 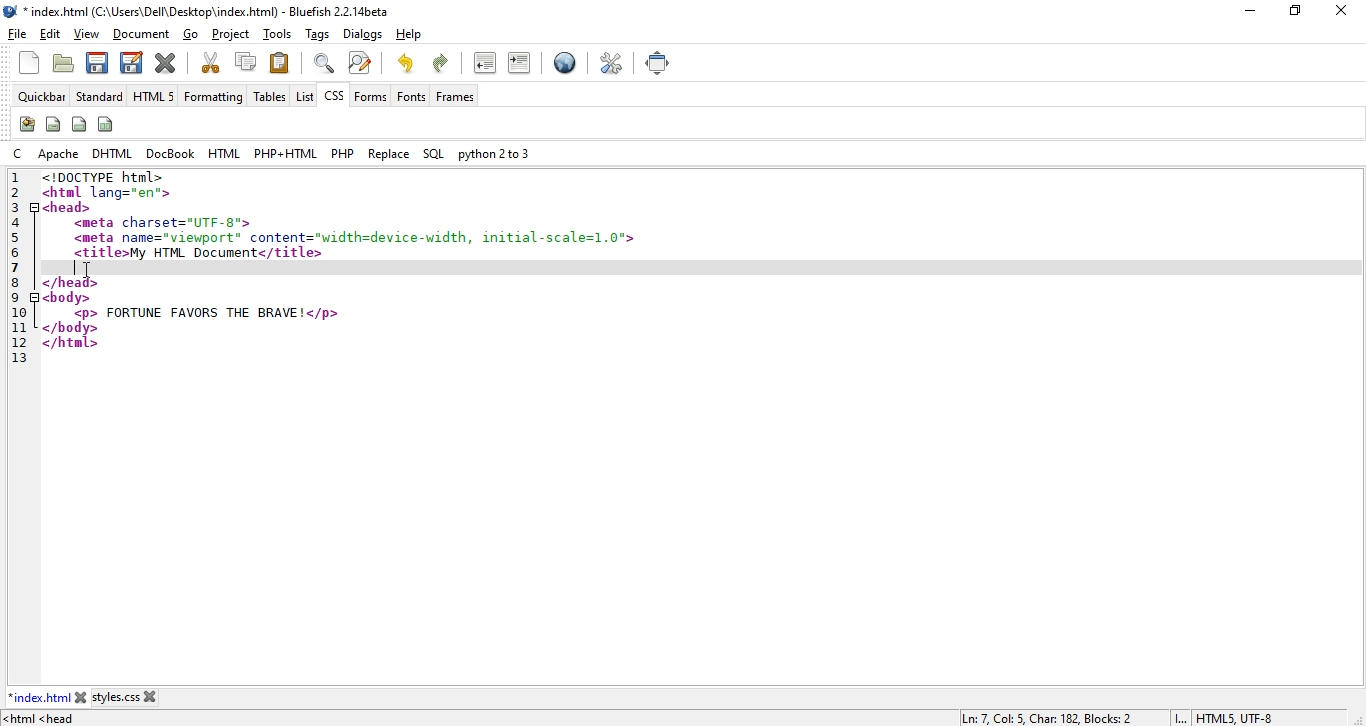 I want to click on full screen, so click(x=659, y=63).